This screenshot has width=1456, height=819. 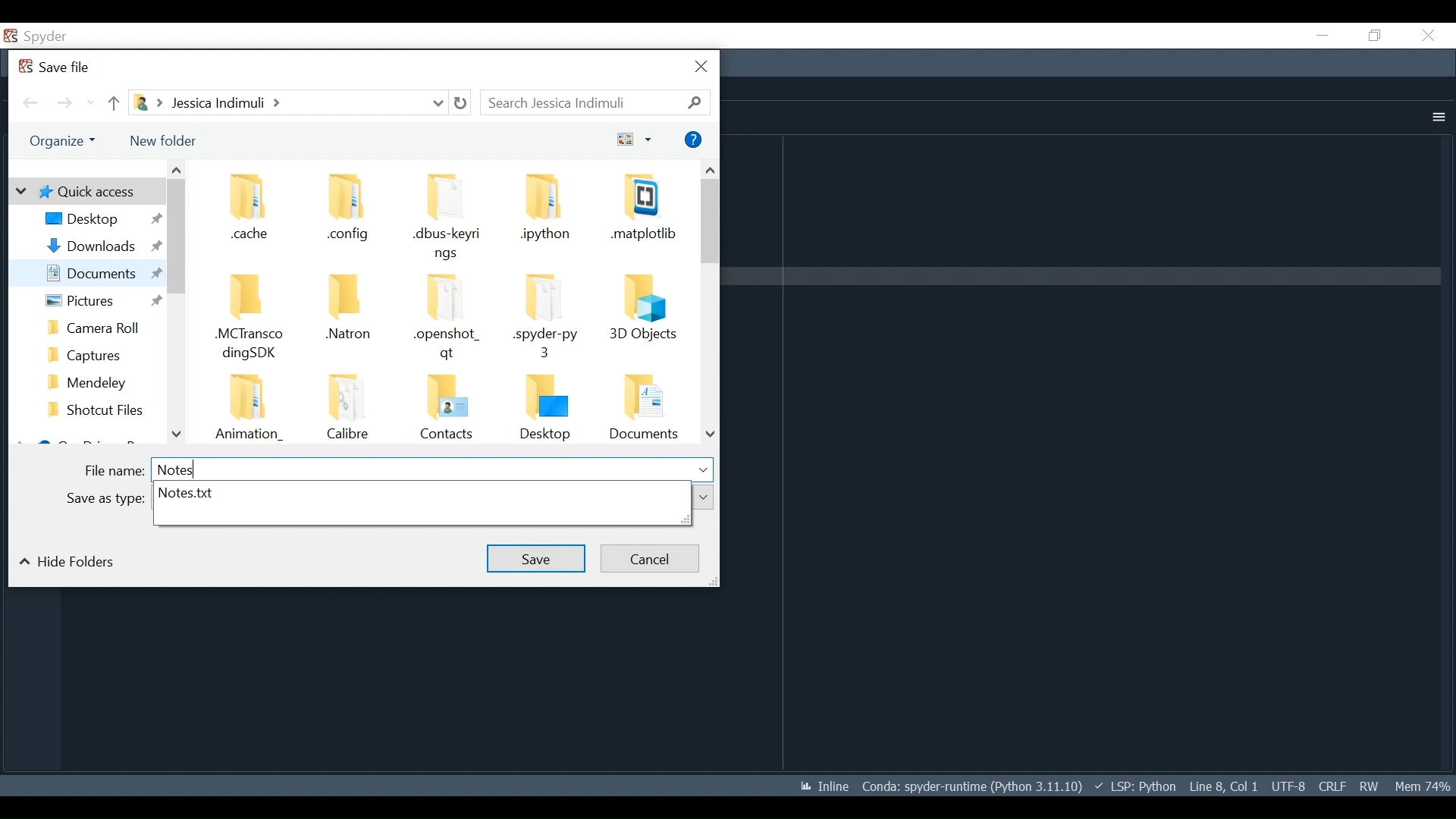 What do you see at coordinates (96, 353) in the screenshot?
I see `Folder` at bounding box center [96, 353].